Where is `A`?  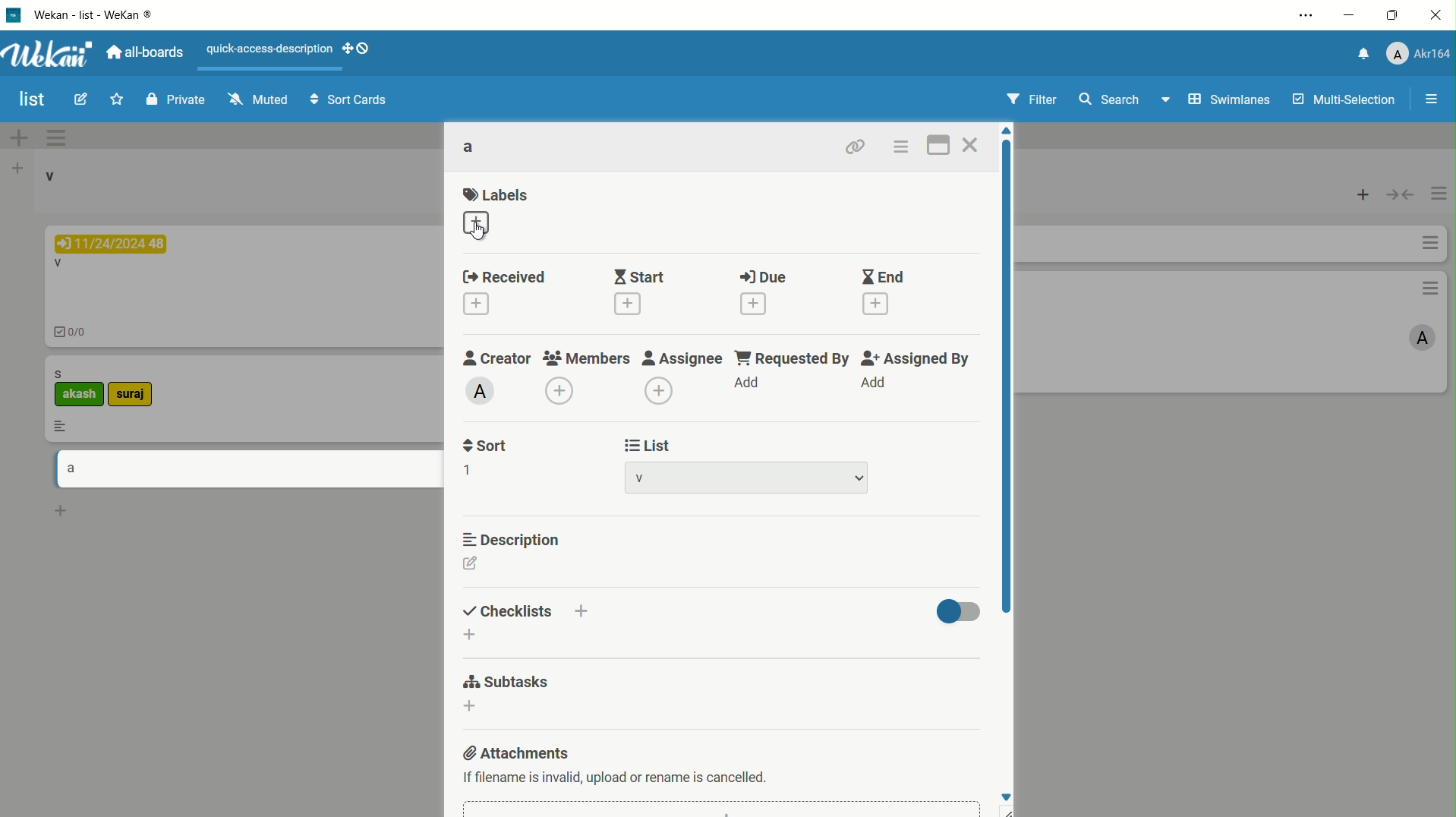 A is located at coordinates (1412, 339).